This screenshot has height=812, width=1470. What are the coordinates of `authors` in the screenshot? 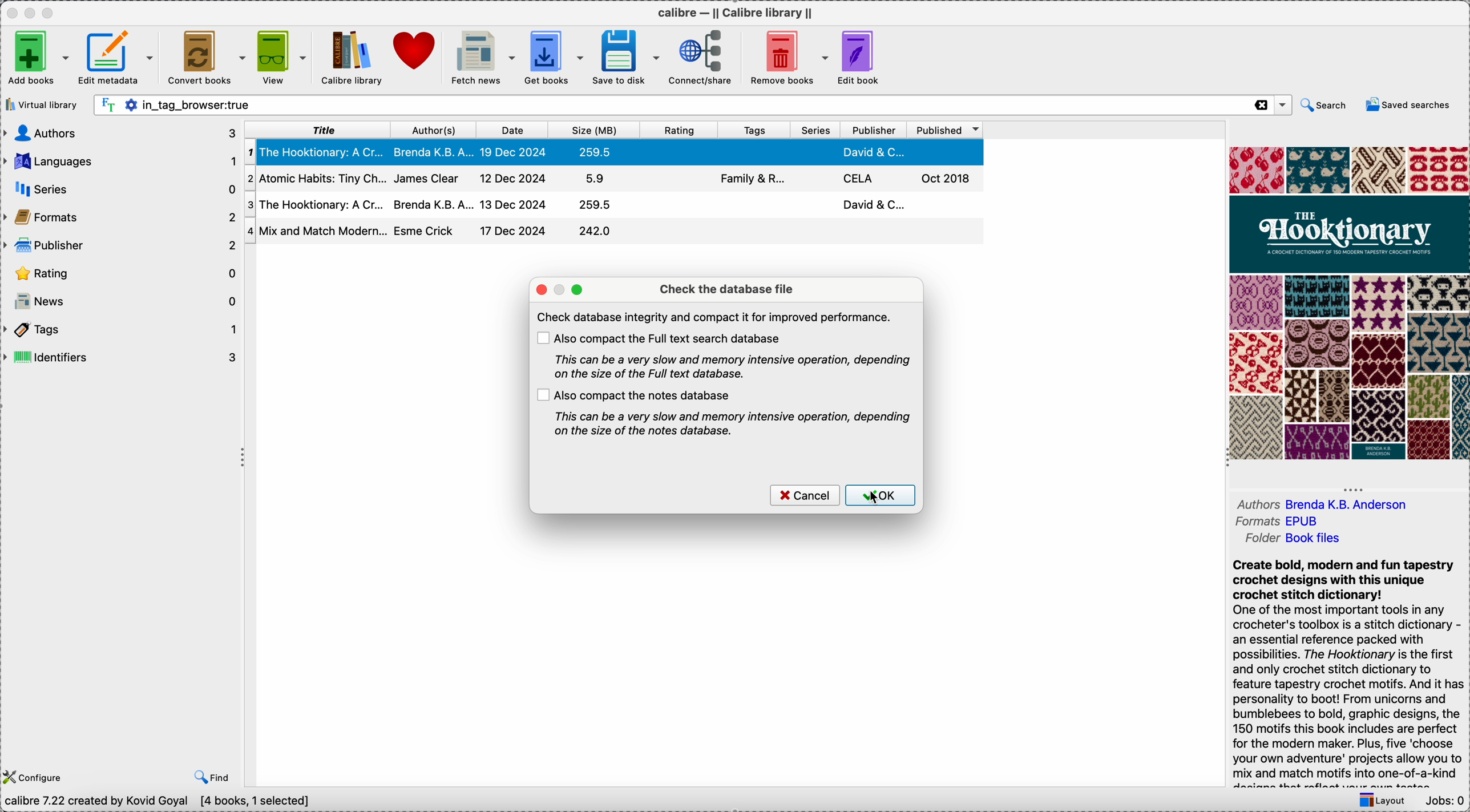 It's located at (119, 134).